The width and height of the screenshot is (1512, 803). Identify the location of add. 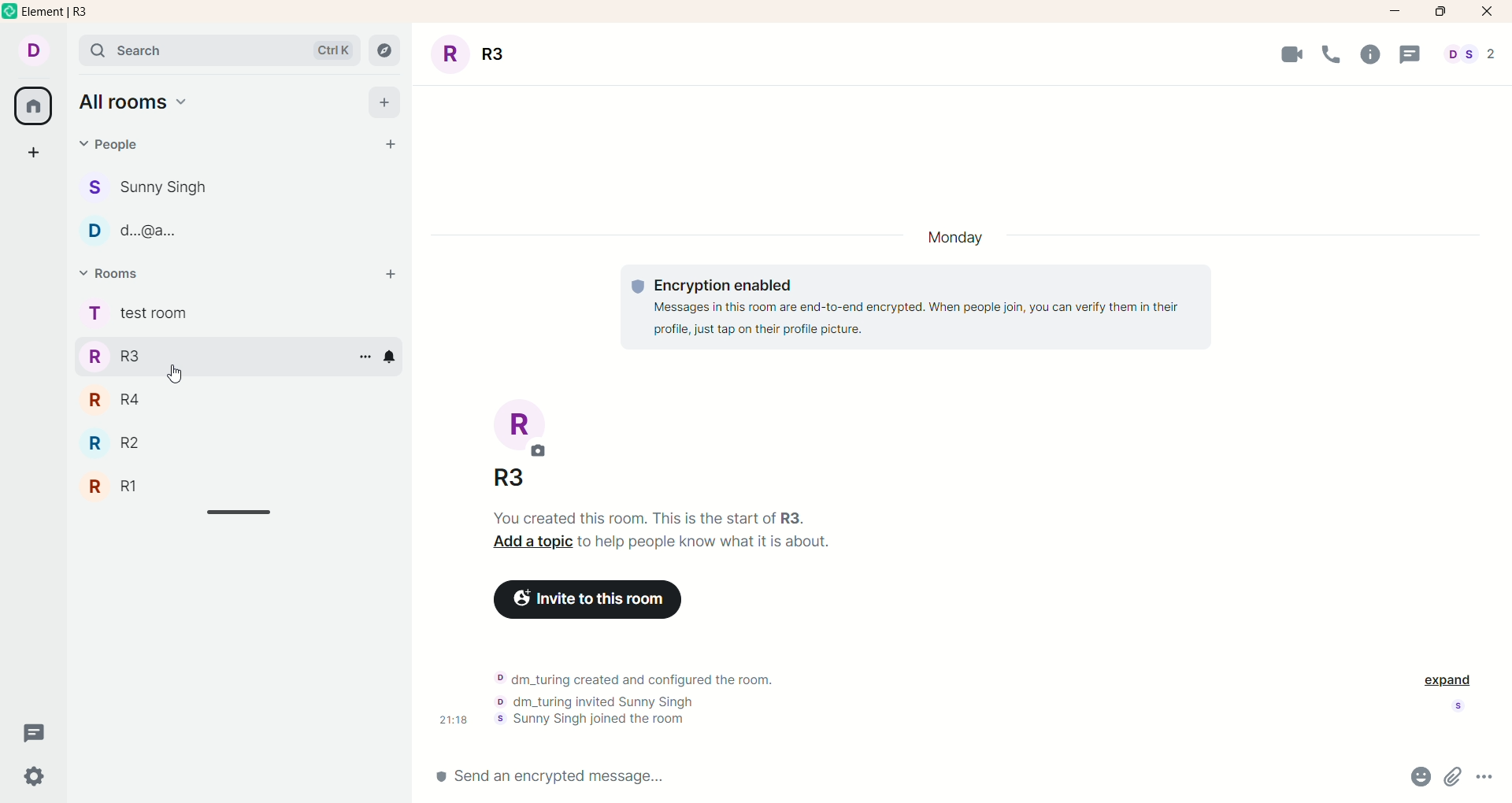
(389, 279).